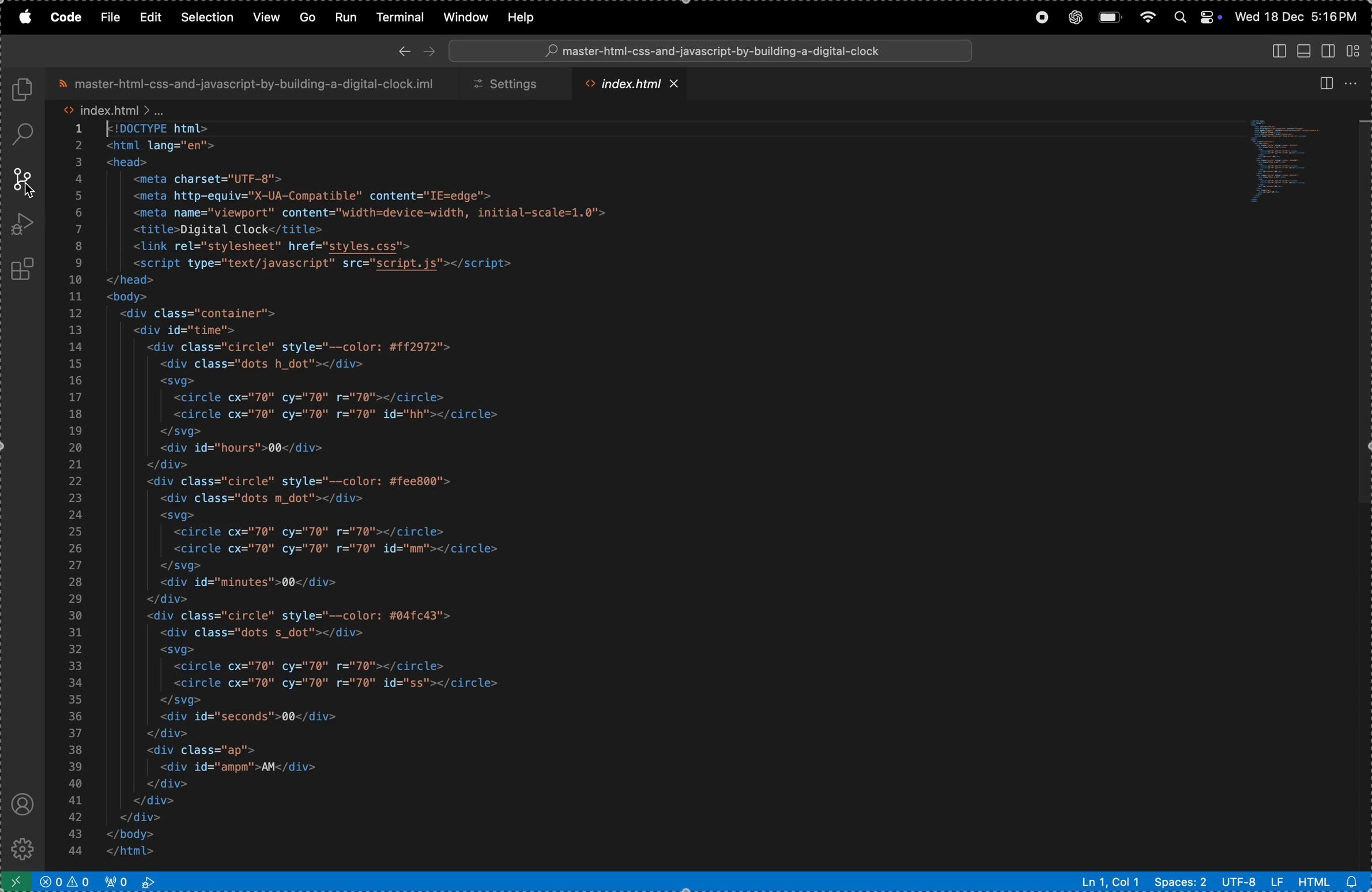 This screenshot has width=1372, height=892. Describe the element at coordinates (336, 396) in the screenshot. I see `<circle cx="70" cy="70" r="70"></circle>` at that location.